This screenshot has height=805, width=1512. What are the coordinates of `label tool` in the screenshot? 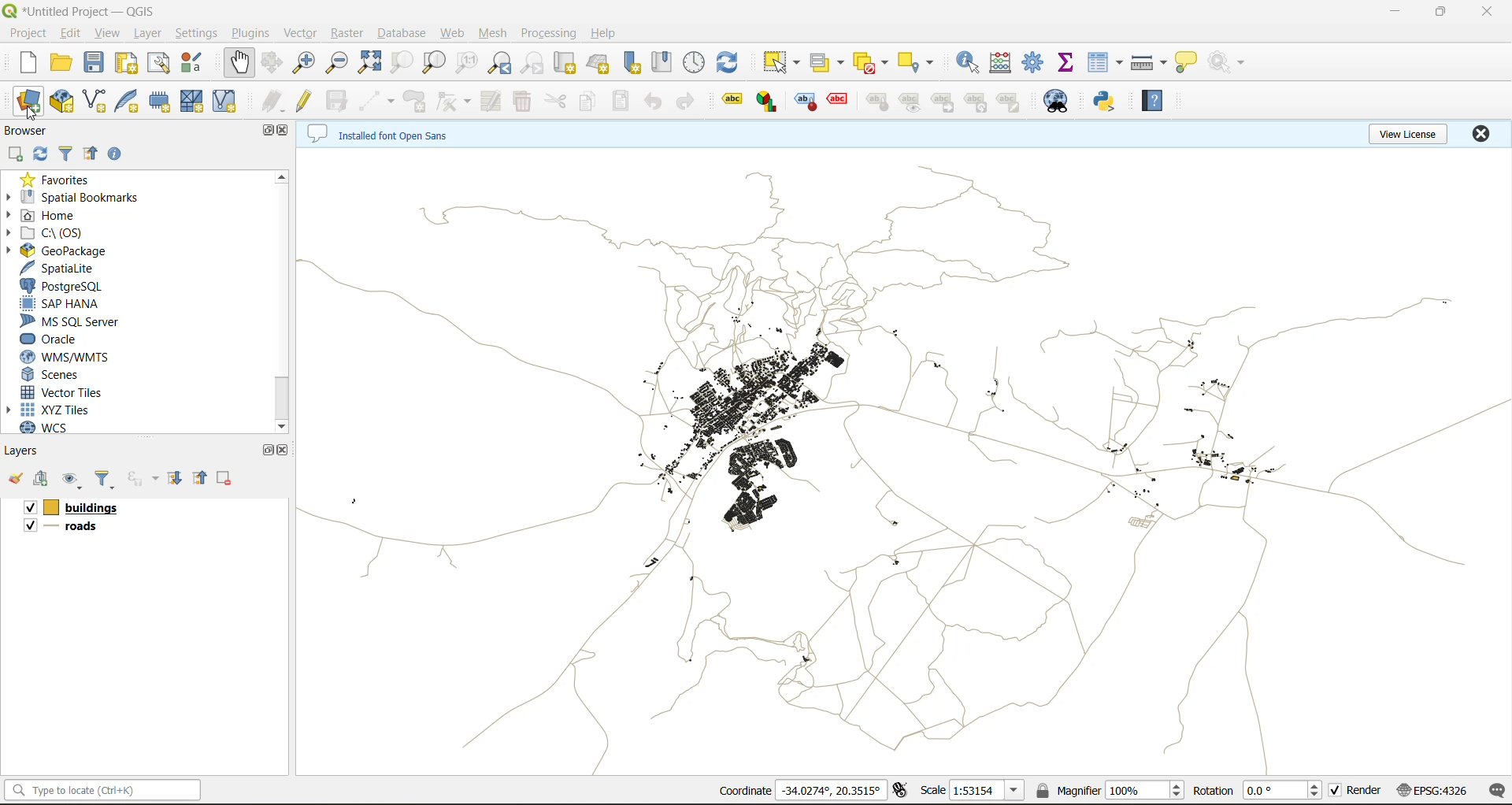 It's located at (735, 98).